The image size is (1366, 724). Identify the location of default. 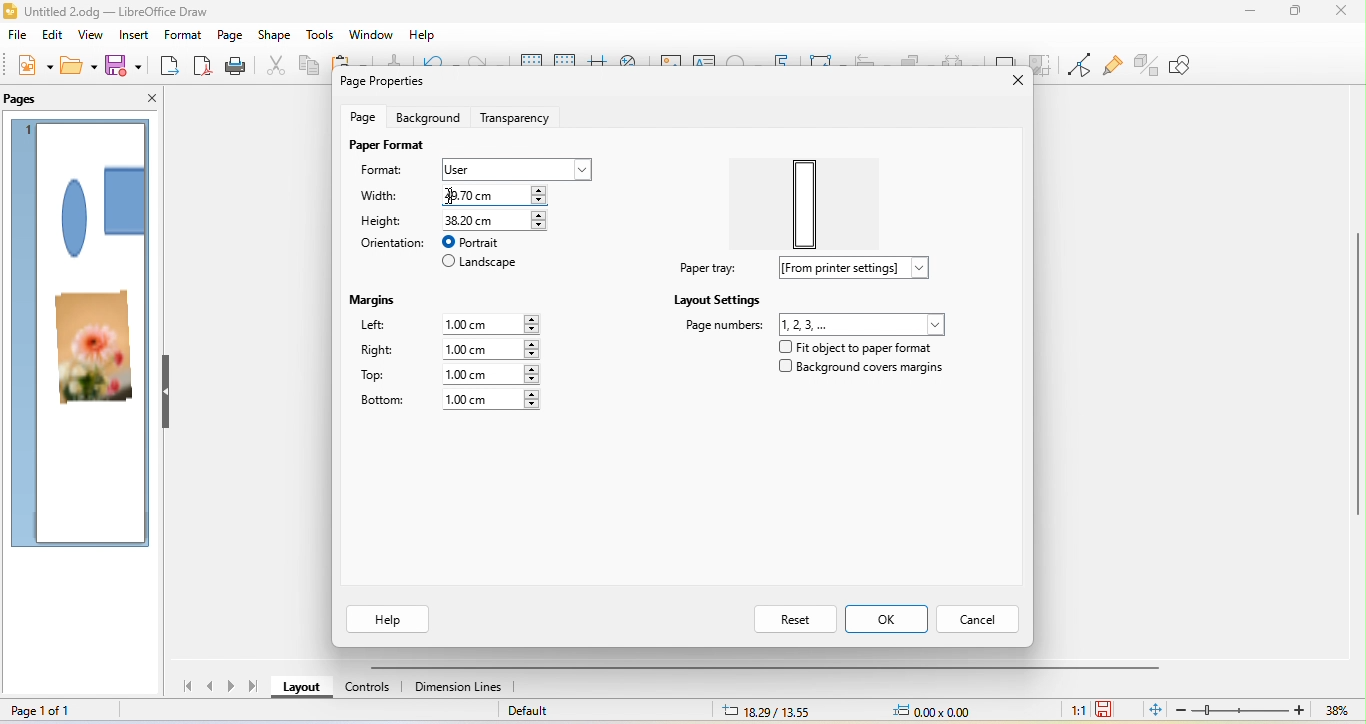
(582, 711).